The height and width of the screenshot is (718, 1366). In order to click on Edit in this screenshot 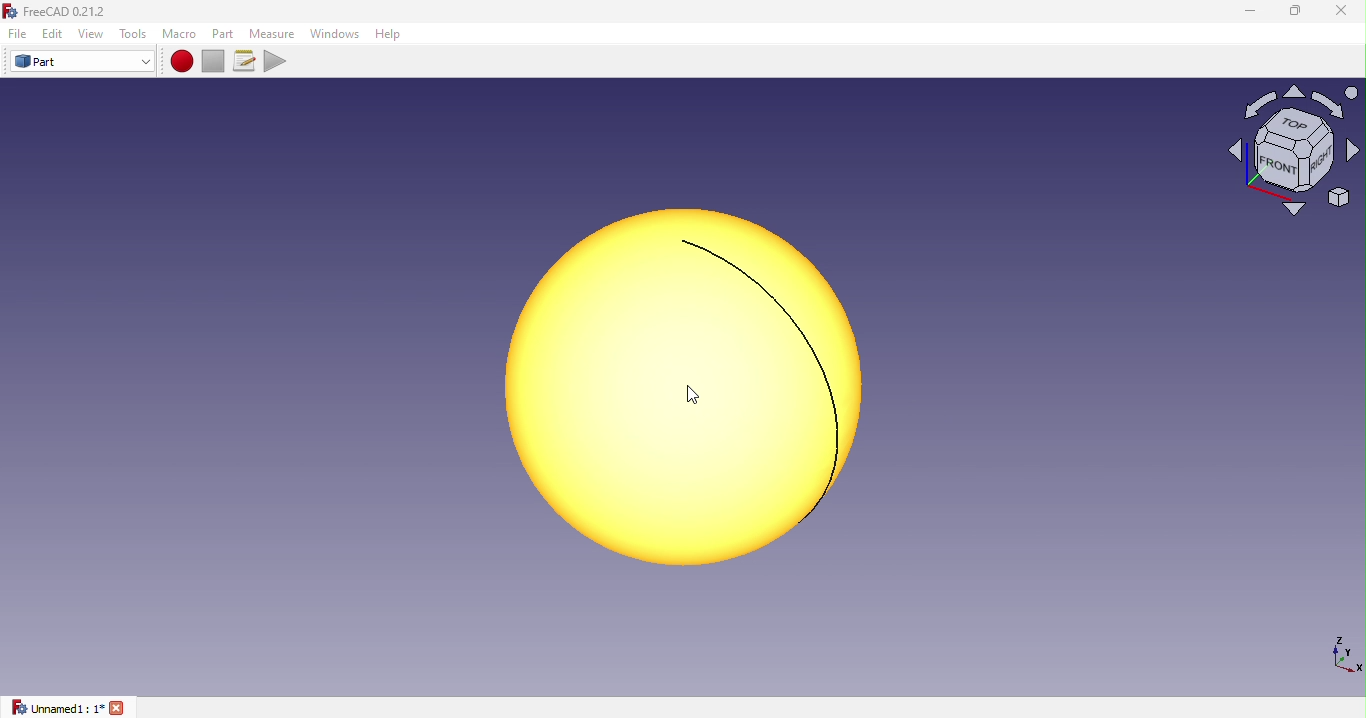, I will do `click(53, 33)`.